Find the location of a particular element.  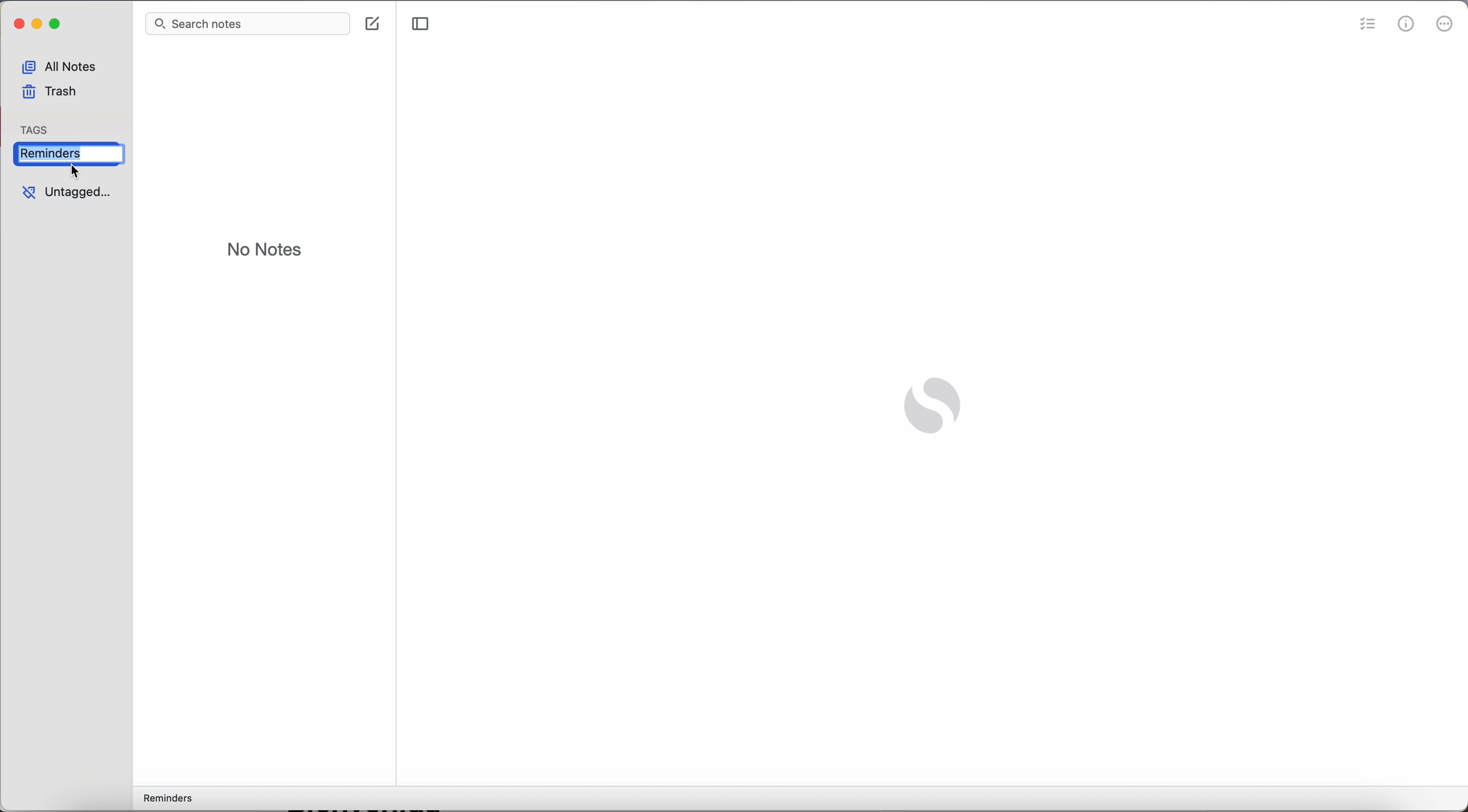

reminders tag is located at coordinates (165, 799).